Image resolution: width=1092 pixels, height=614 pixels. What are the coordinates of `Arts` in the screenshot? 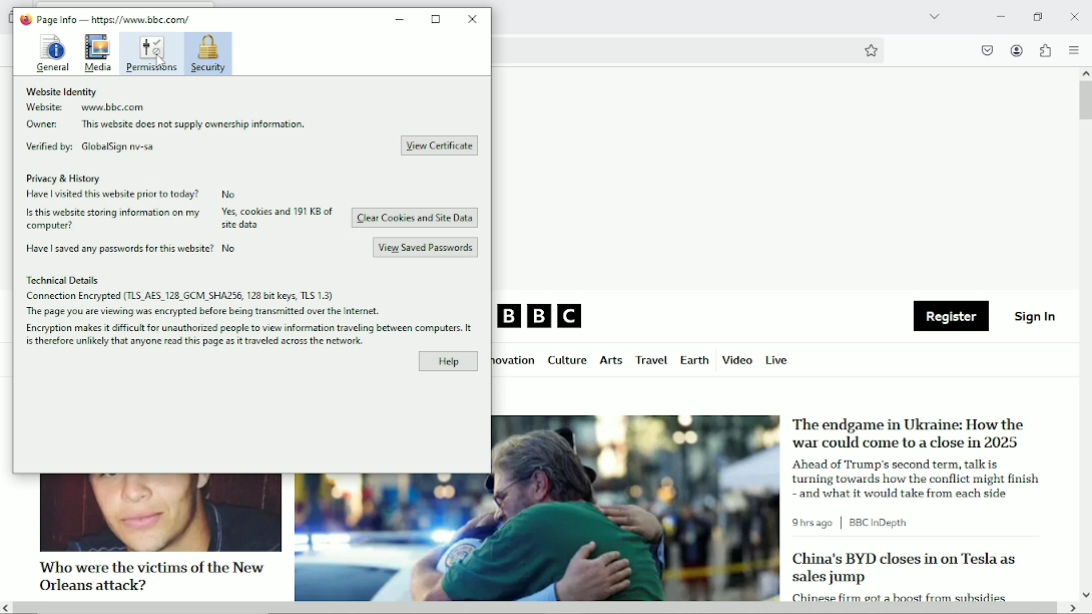 It's located at (610, 362).